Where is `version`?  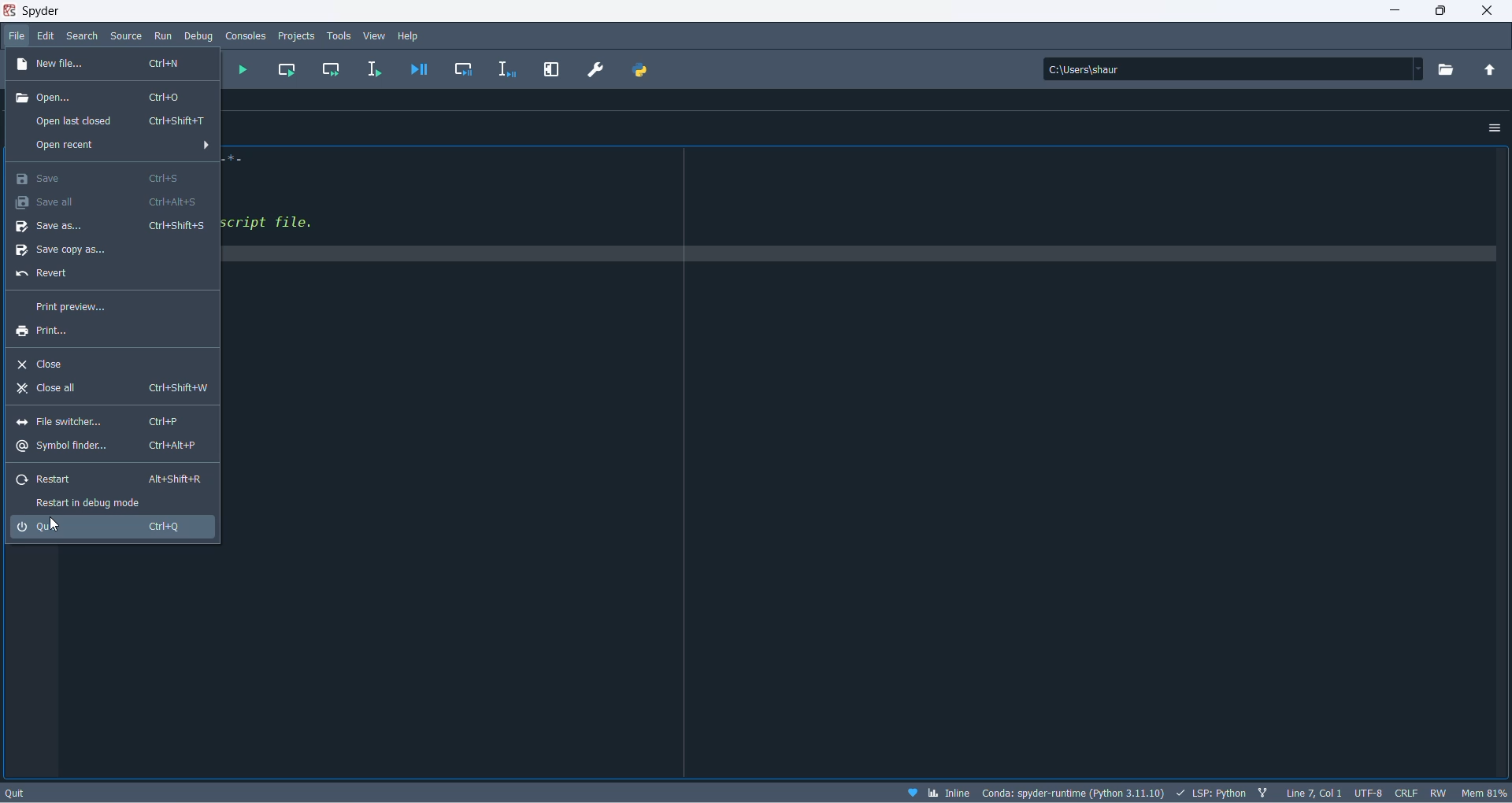 version is located at coordinates (1074, 792).